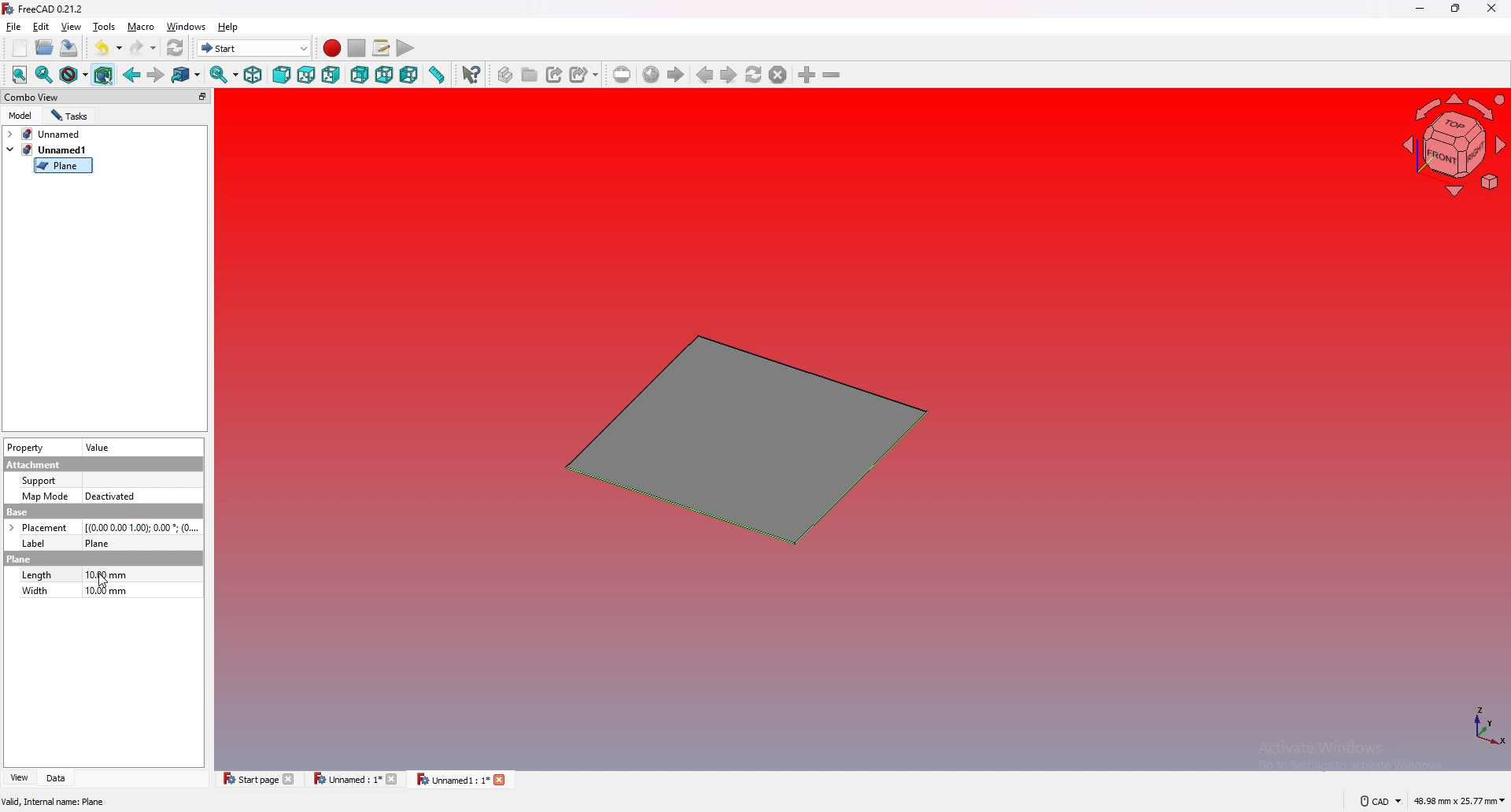  Describe the element at coordinates (45, 9) in the screenshot. I see `FreeCAD 0.21.2` at that location.